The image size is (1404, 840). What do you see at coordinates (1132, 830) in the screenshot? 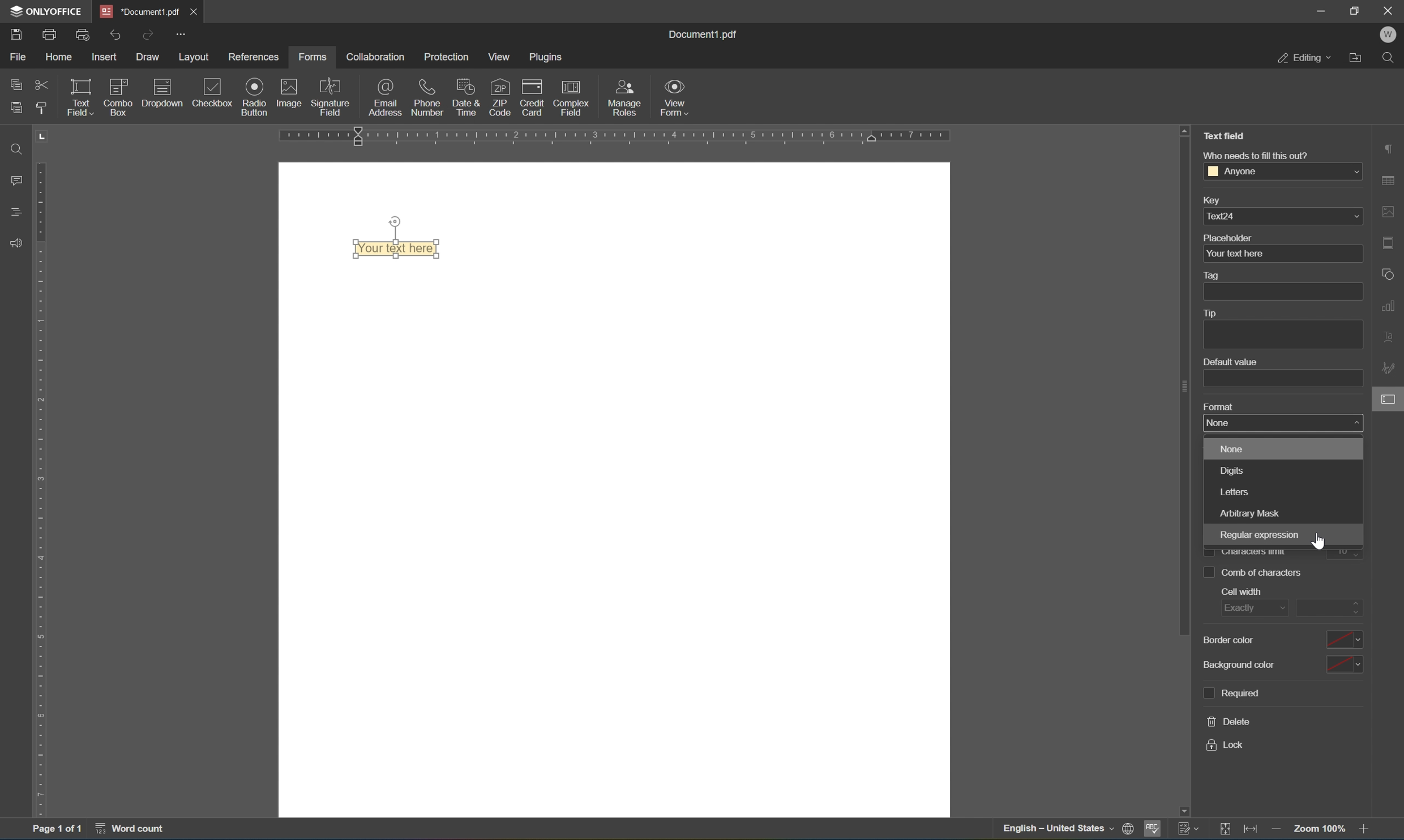
I see `set document language` at bounding box center [1132, 830].